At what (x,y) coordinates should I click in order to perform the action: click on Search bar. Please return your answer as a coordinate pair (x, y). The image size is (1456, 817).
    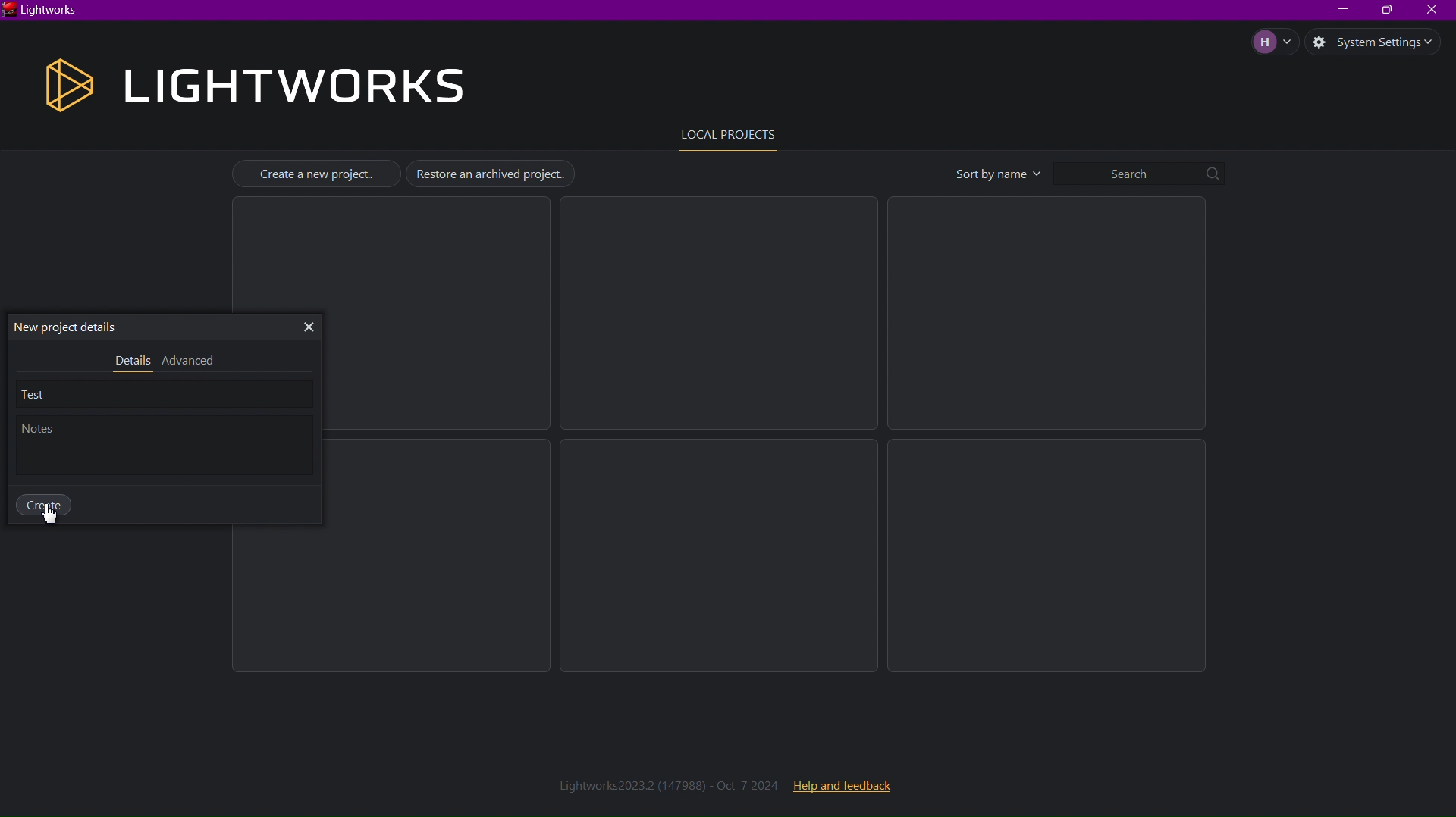
    Looking at the image, I should click on (1141, 172).